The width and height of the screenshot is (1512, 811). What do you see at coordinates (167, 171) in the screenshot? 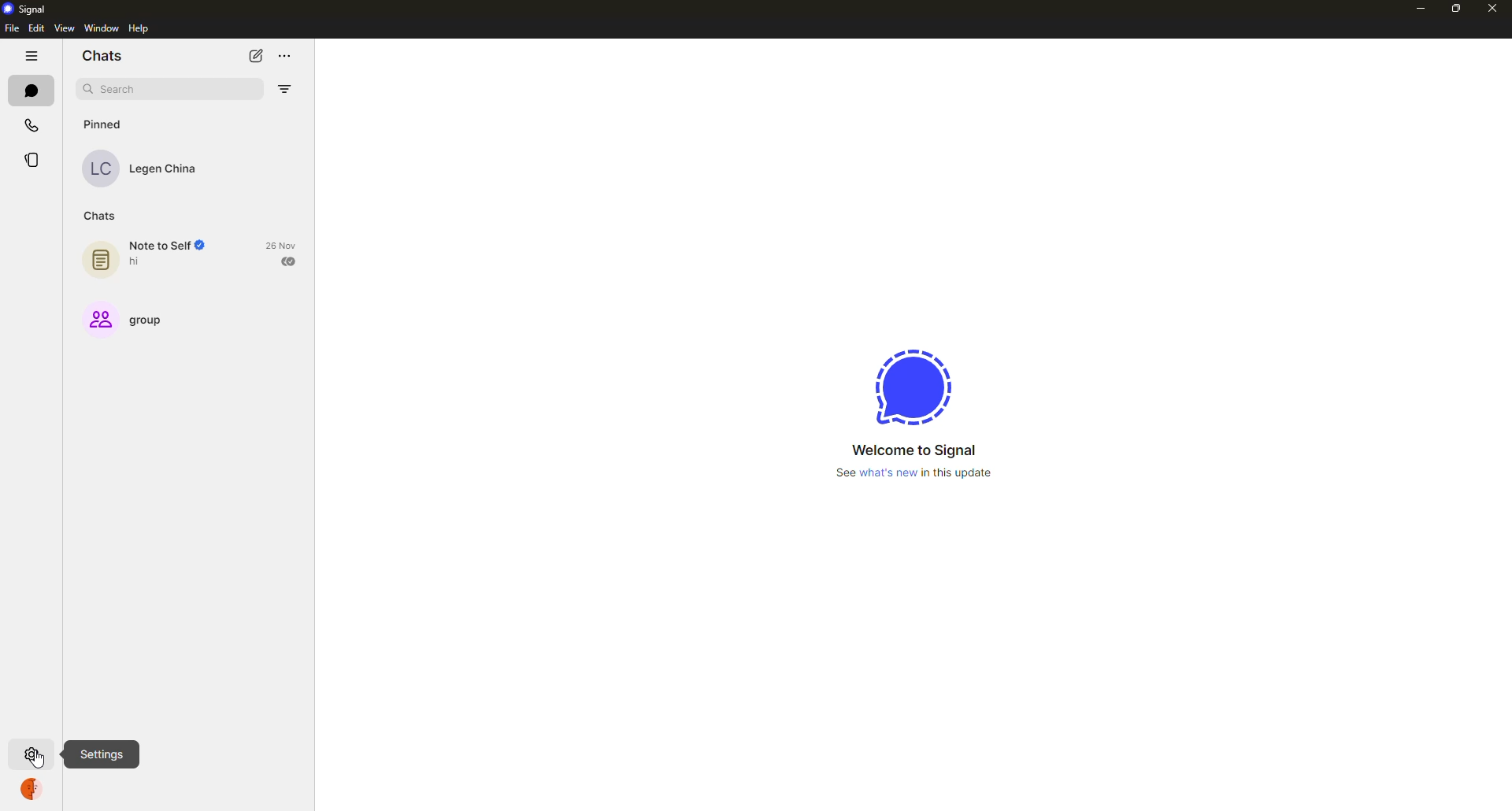
I see `Legen China` at bounding box center [167, 171].